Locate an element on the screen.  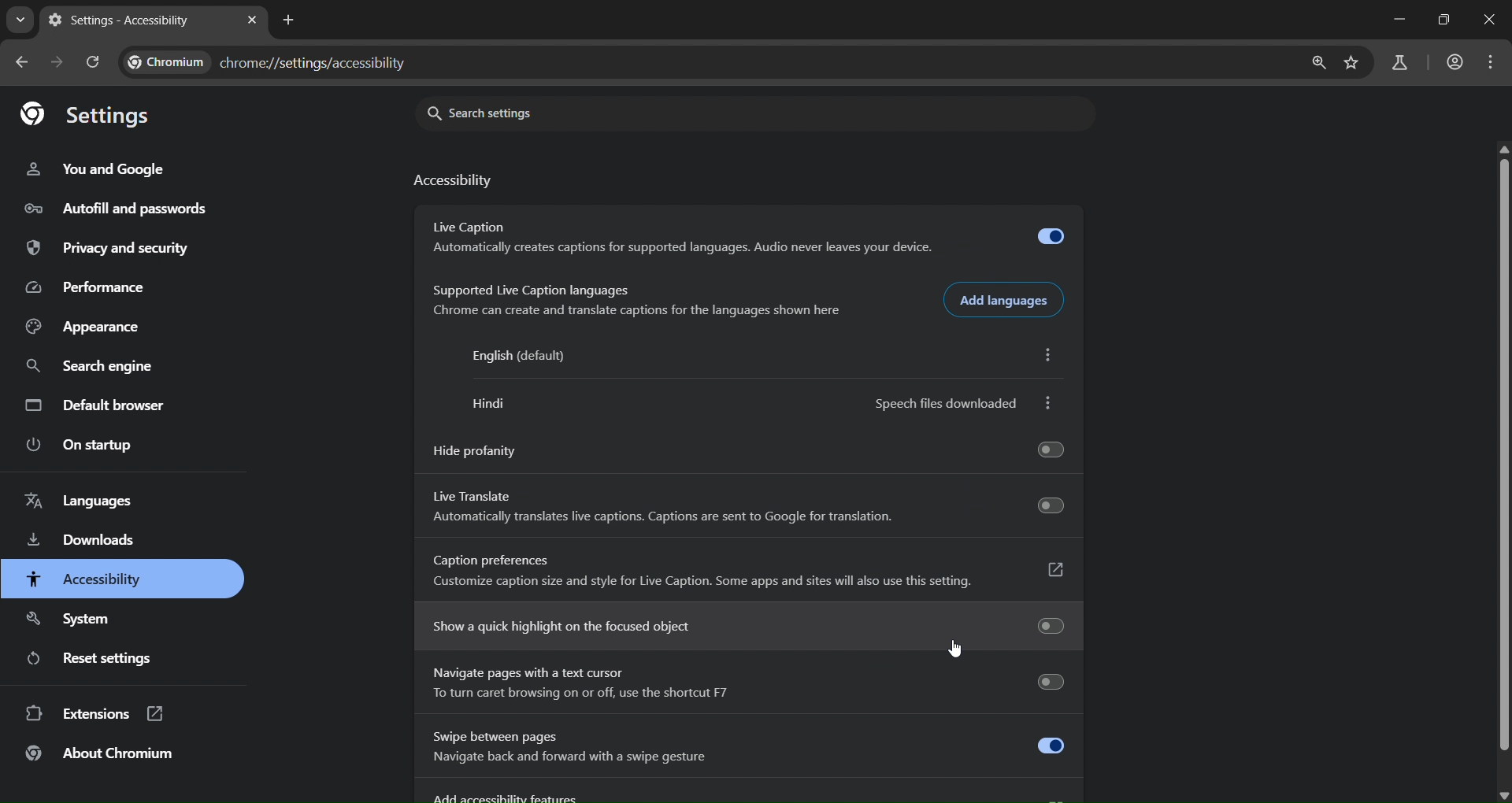
Live Translate @
Automatically translates live captions. Captions are sent to Google for translation. is located at coordinates (754, 508).